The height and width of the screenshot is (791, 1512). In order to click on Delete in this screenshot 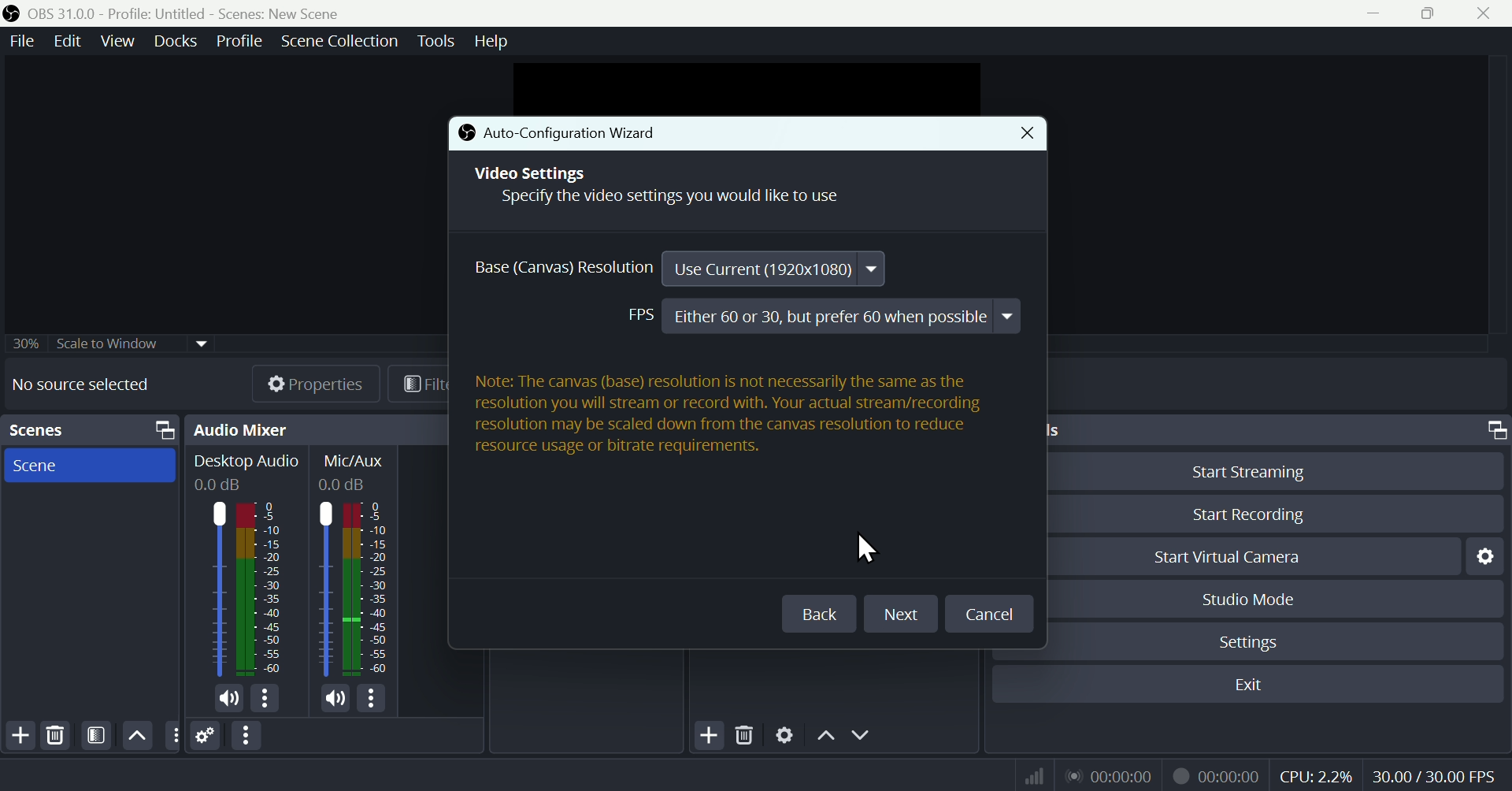, I will do `click(57, 735)`.